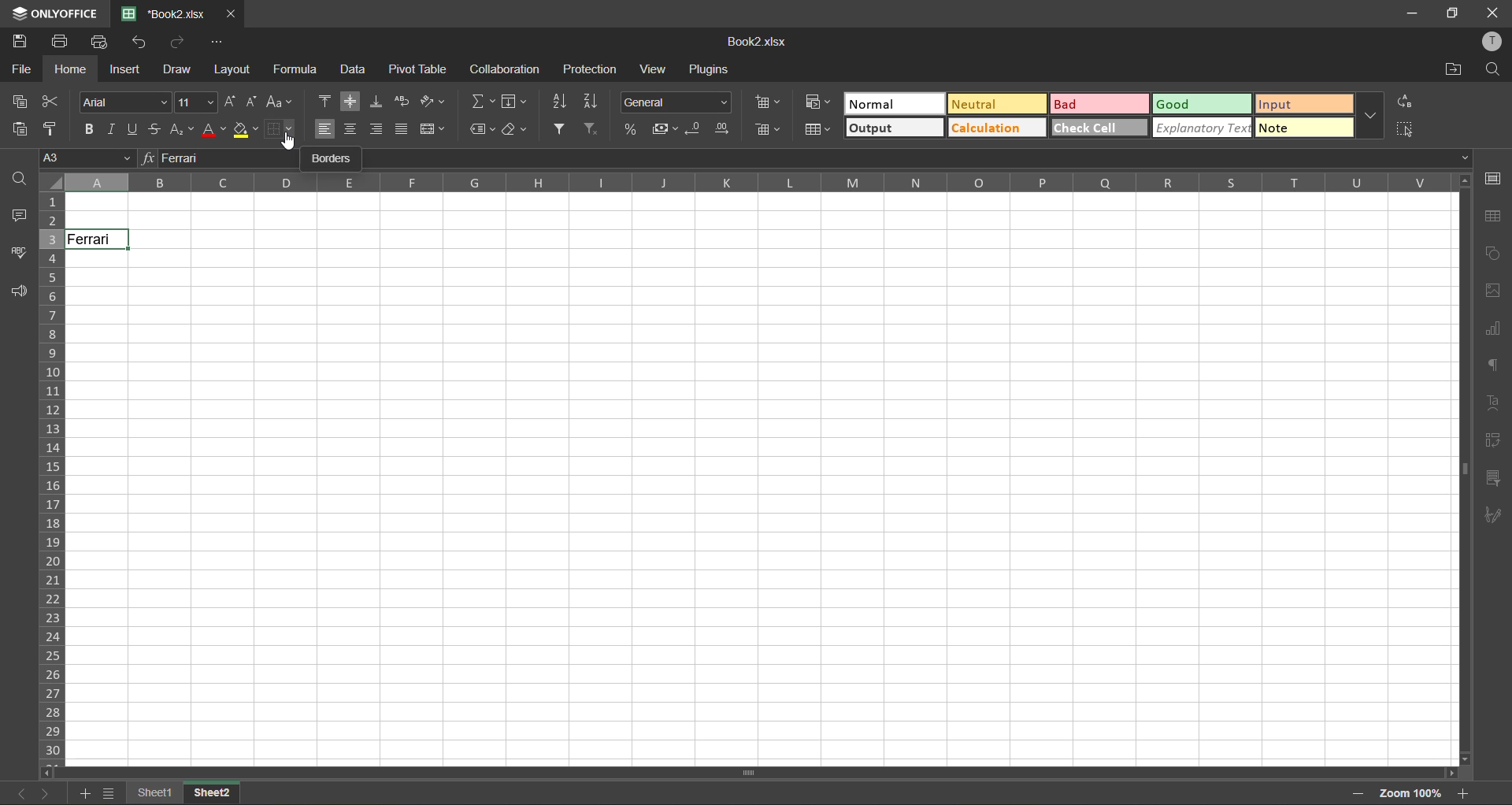 The height and width of the screenshot is (805, 1512). What do you see at coordinates (1412, 794) in the screenshot?
I see `zoom factor` at bounding box center [1412, 794].